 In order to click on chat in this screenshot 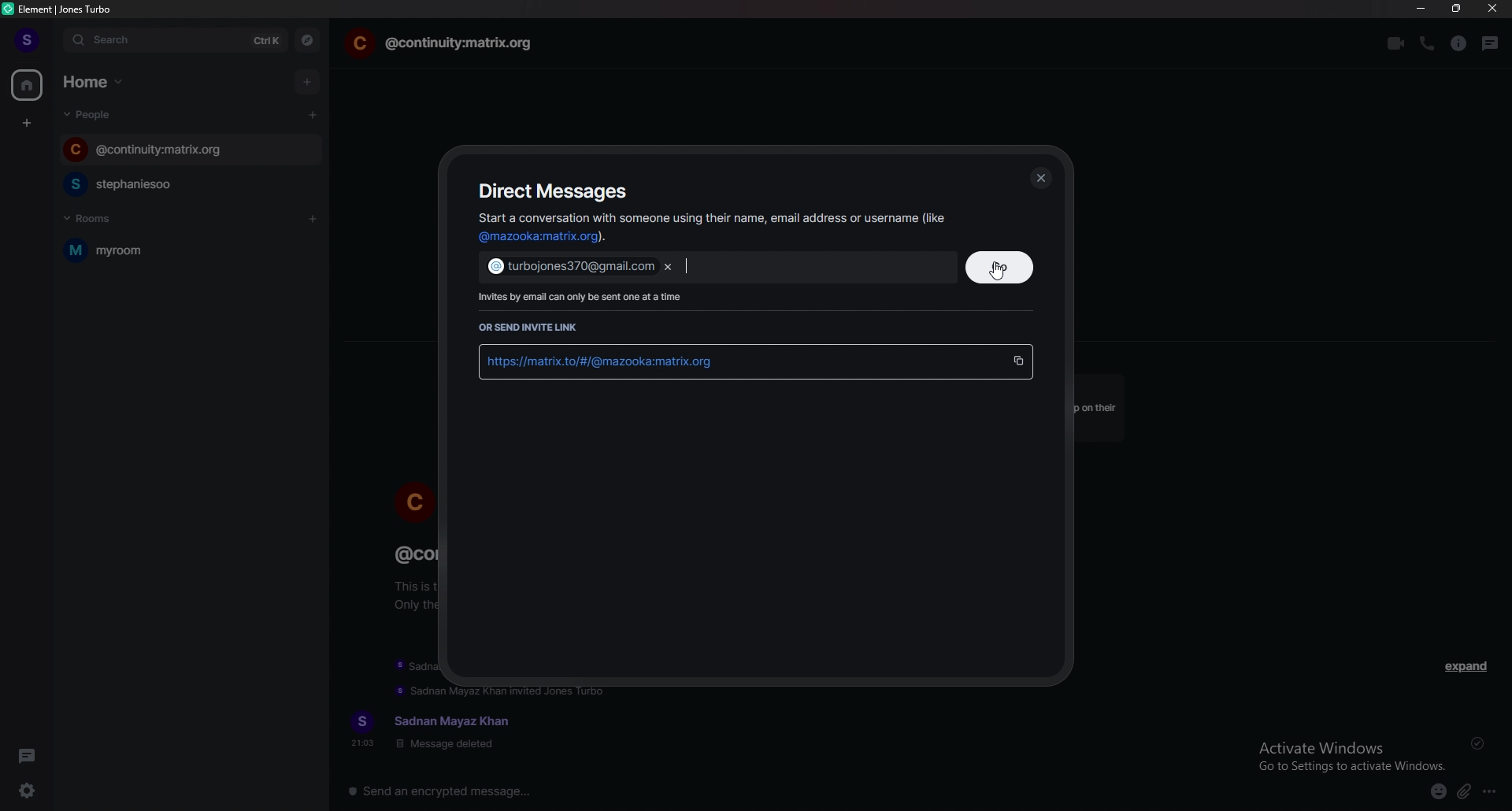, I will do `click(174, 149)`.